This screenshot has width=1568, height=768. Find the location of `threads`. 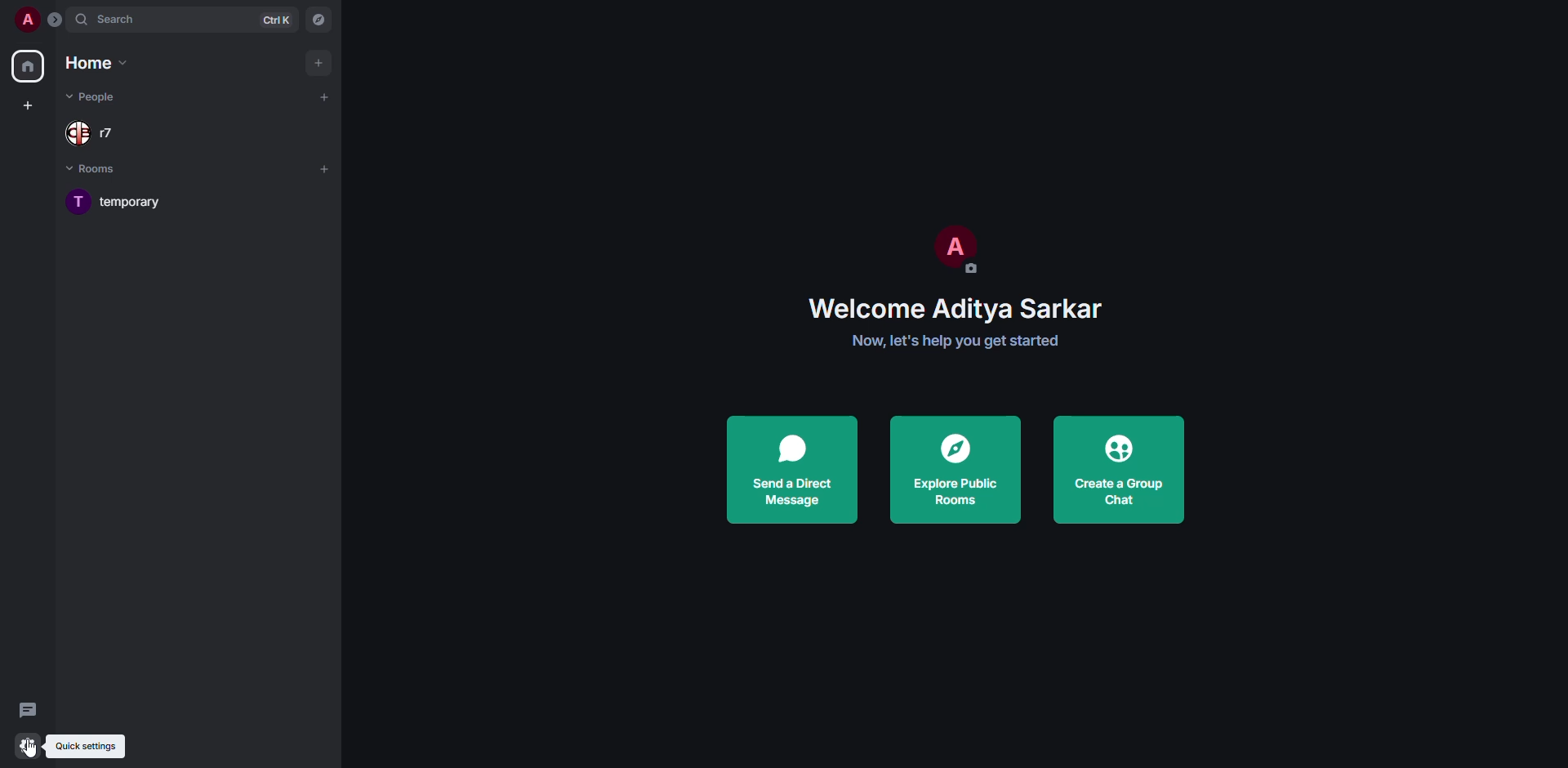

threads is located at coordinates (27, 709).